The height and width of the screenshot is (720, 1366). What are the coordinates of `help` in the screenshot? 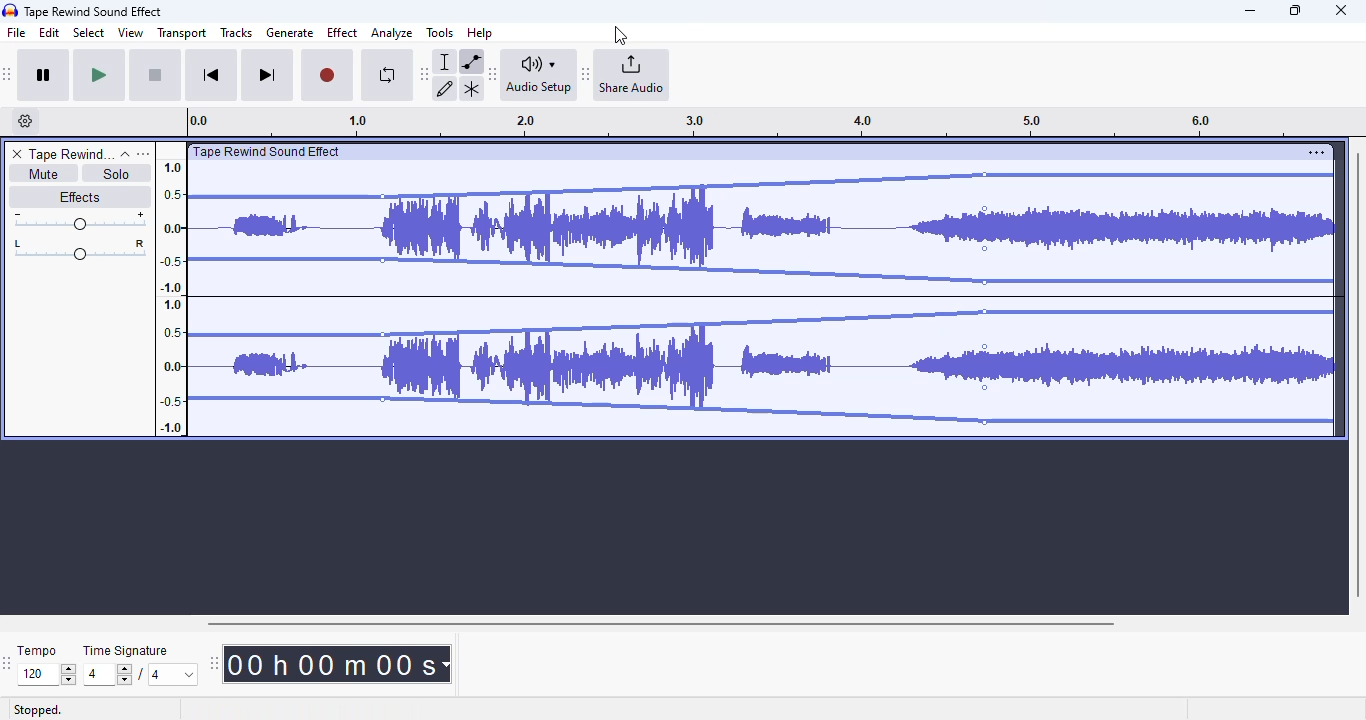 It's located at (480, 32).